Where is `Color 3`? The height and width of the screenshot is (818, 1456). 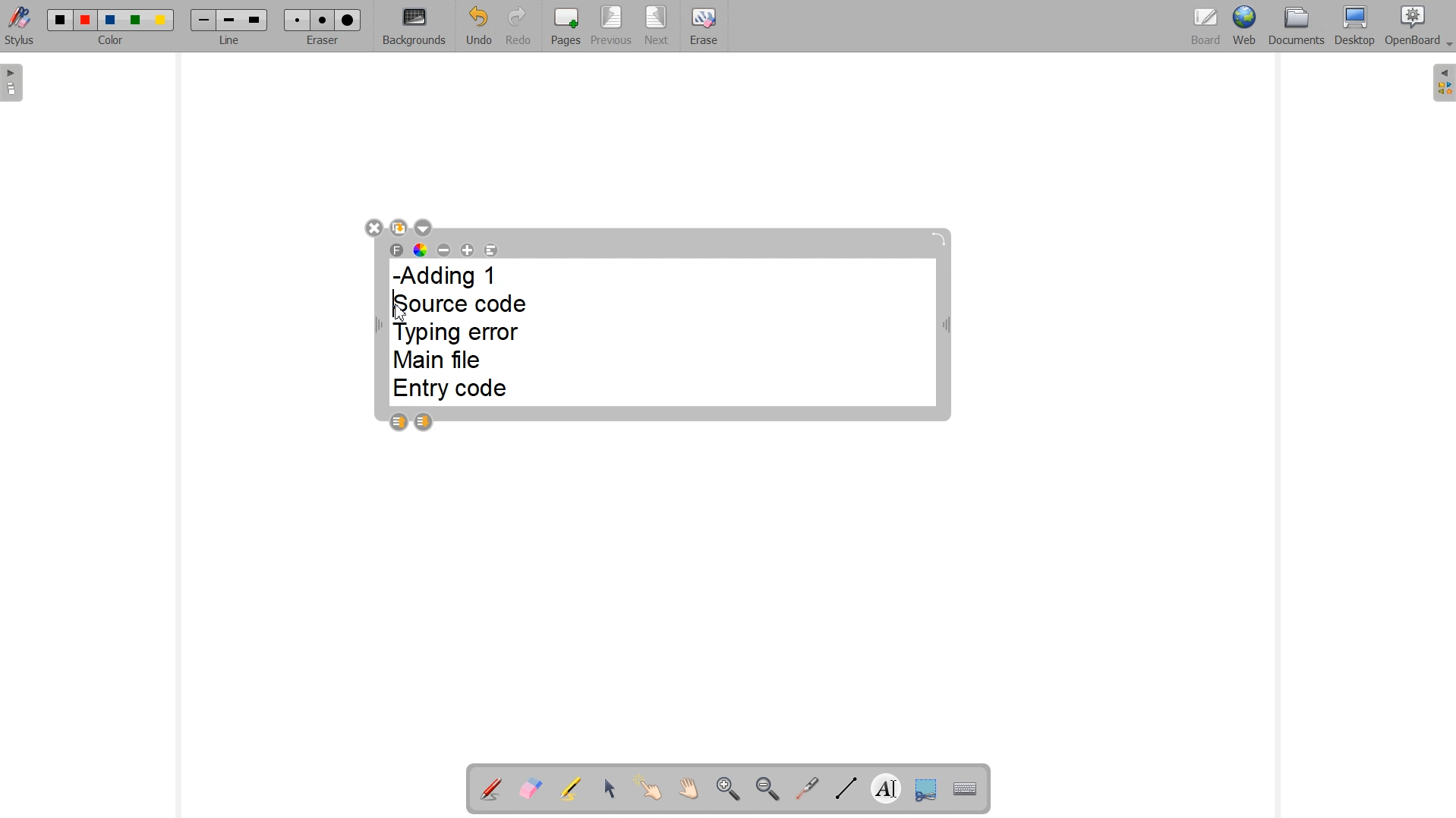 Color 3 is located at coordinates (110, 20).